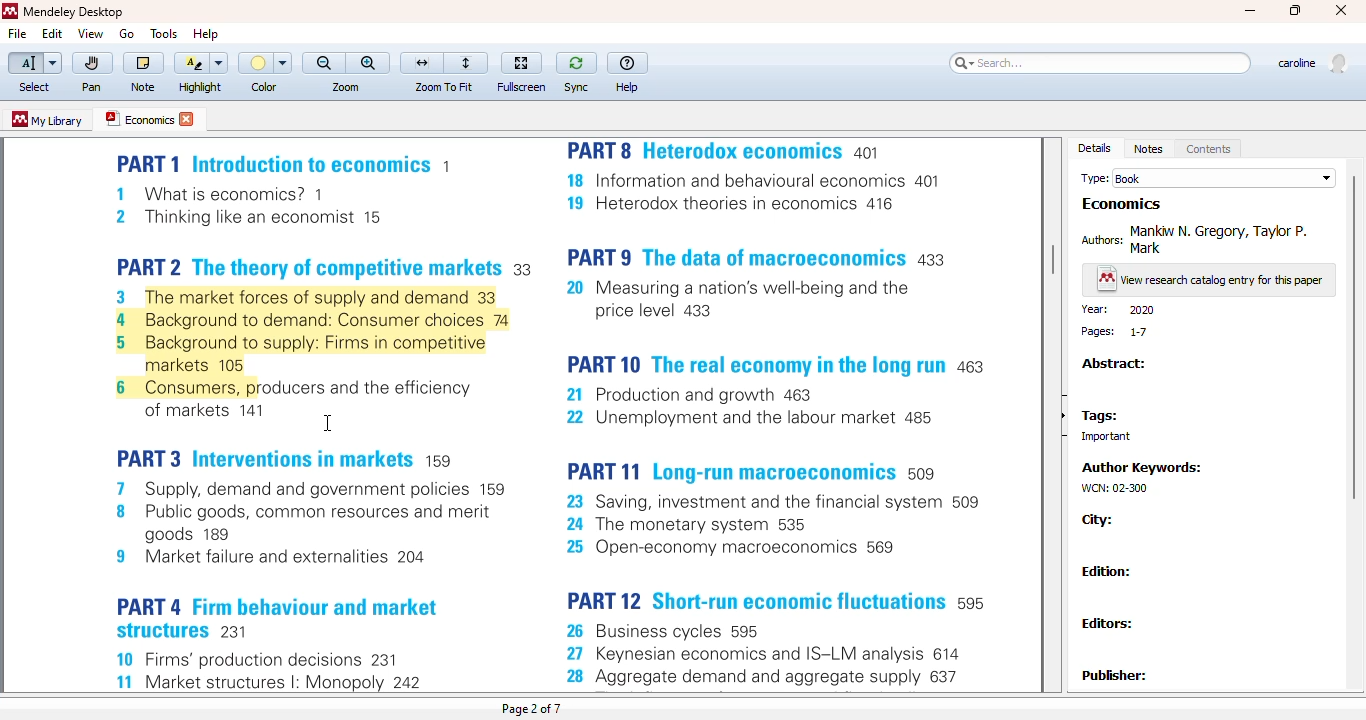  Describe the element at coordinates (627, 63) in the screenshot. I see `help` at that location.